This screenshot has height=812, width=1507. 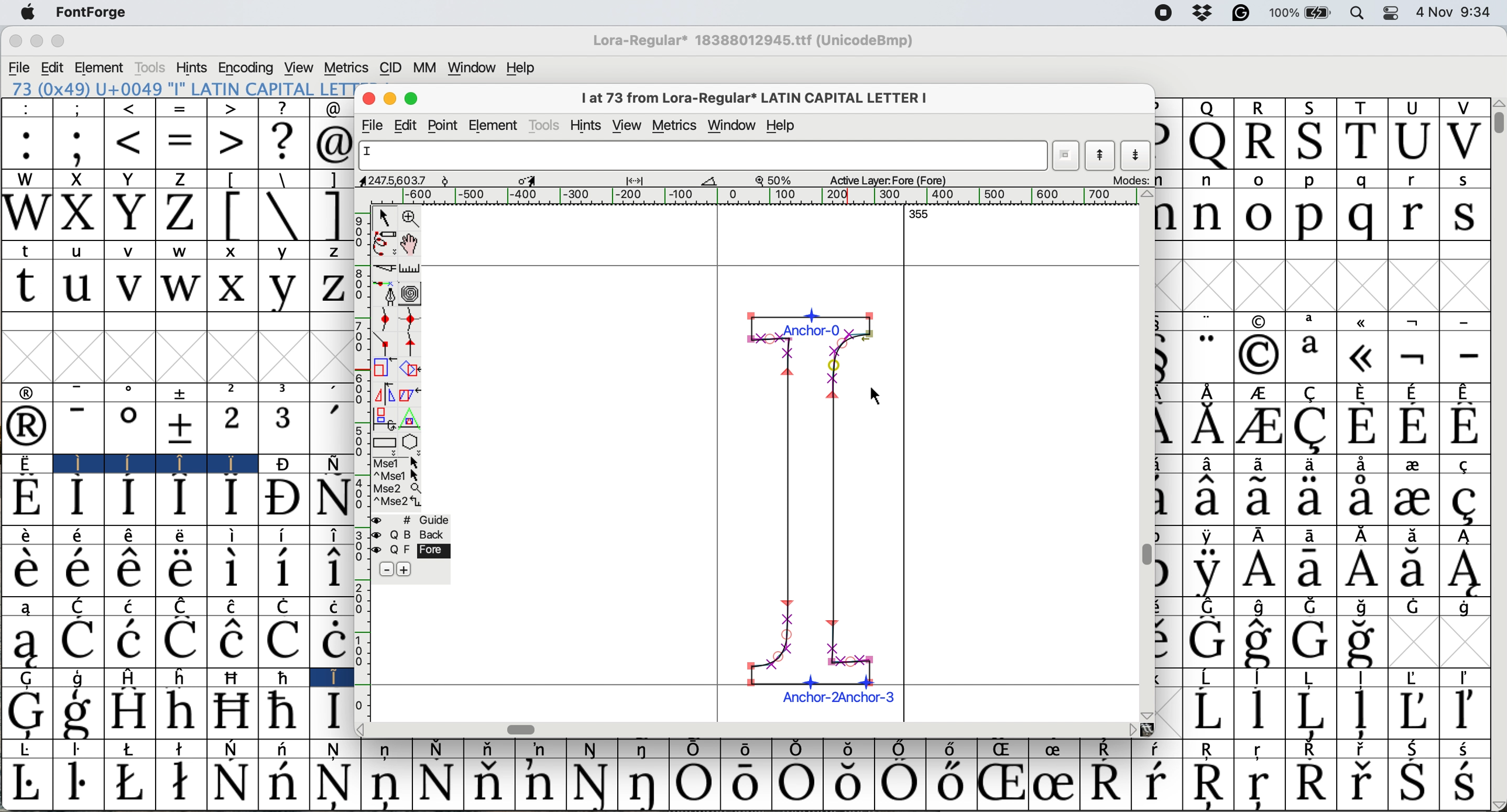 What do you see at coordinates (1412, 710) in the screenshot?
I see `Symbol` at bounding box center [1412, 710].